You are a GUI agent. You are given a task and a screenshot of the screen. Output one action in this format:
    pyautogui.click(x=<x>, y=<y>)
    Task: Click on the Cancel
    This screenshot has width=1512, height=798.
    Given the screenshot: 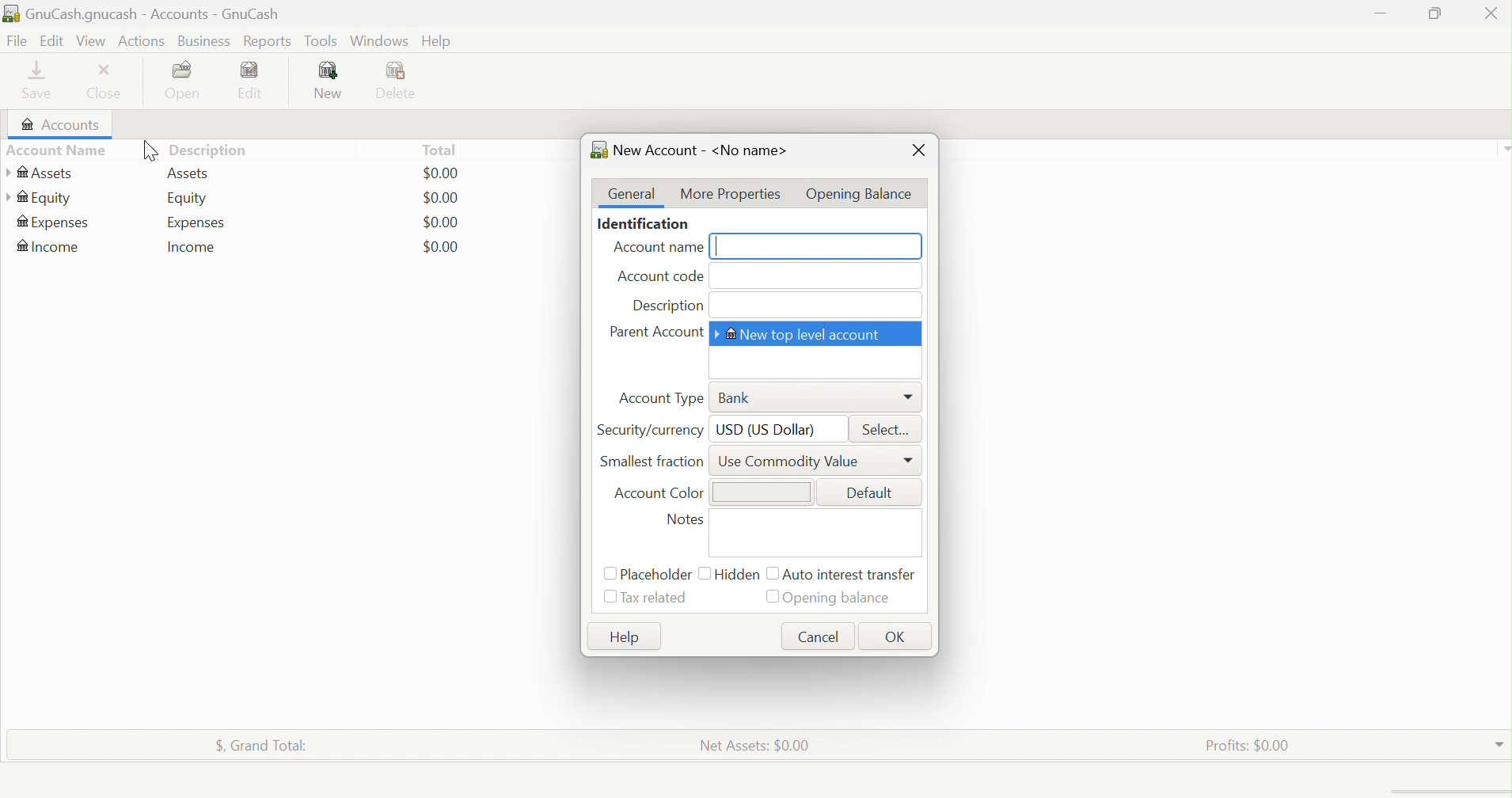 What is the action you would take?
    pyautogui.click(x=821, y=635)
    